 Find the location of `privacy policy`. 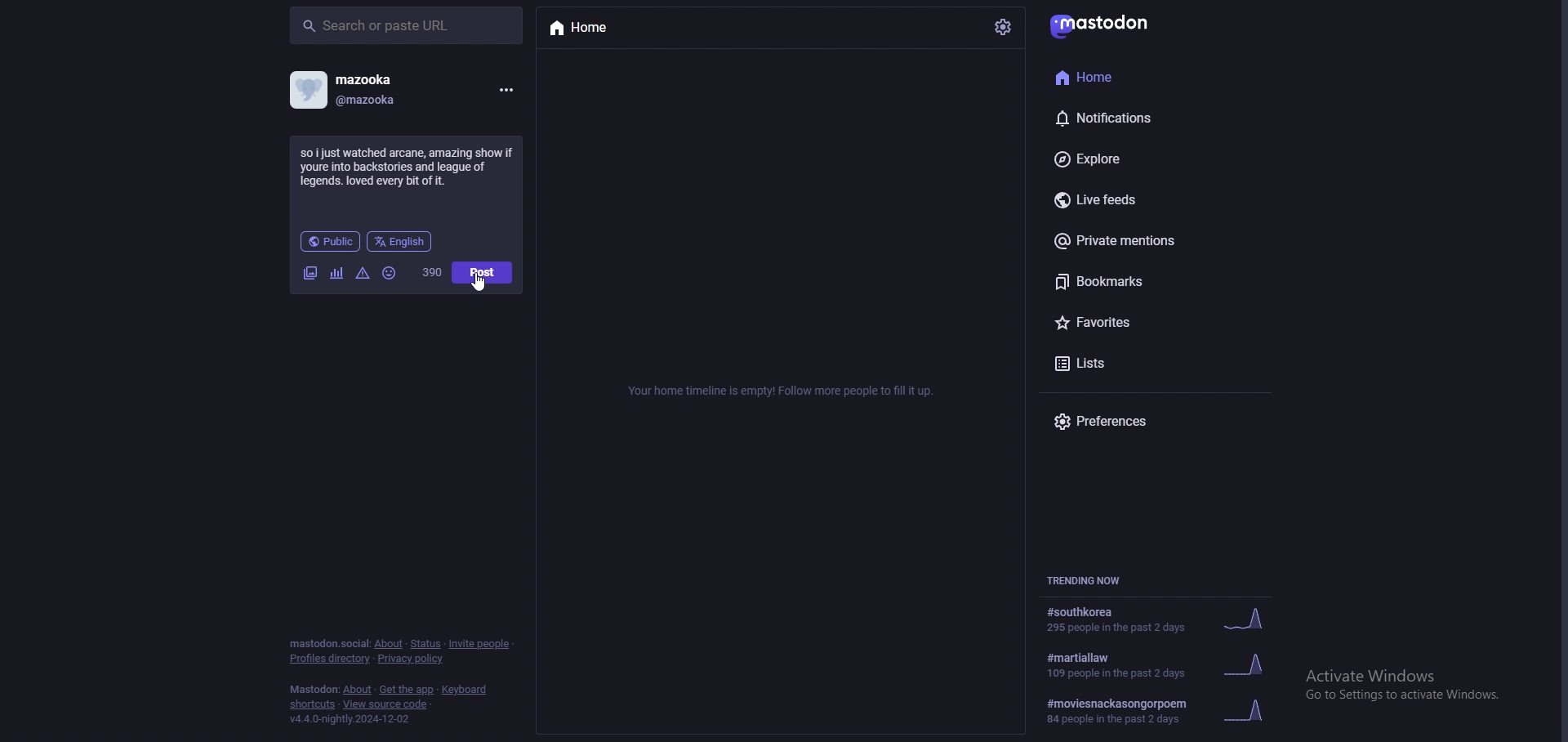

privacy policy is located at coordinates (414, 659).